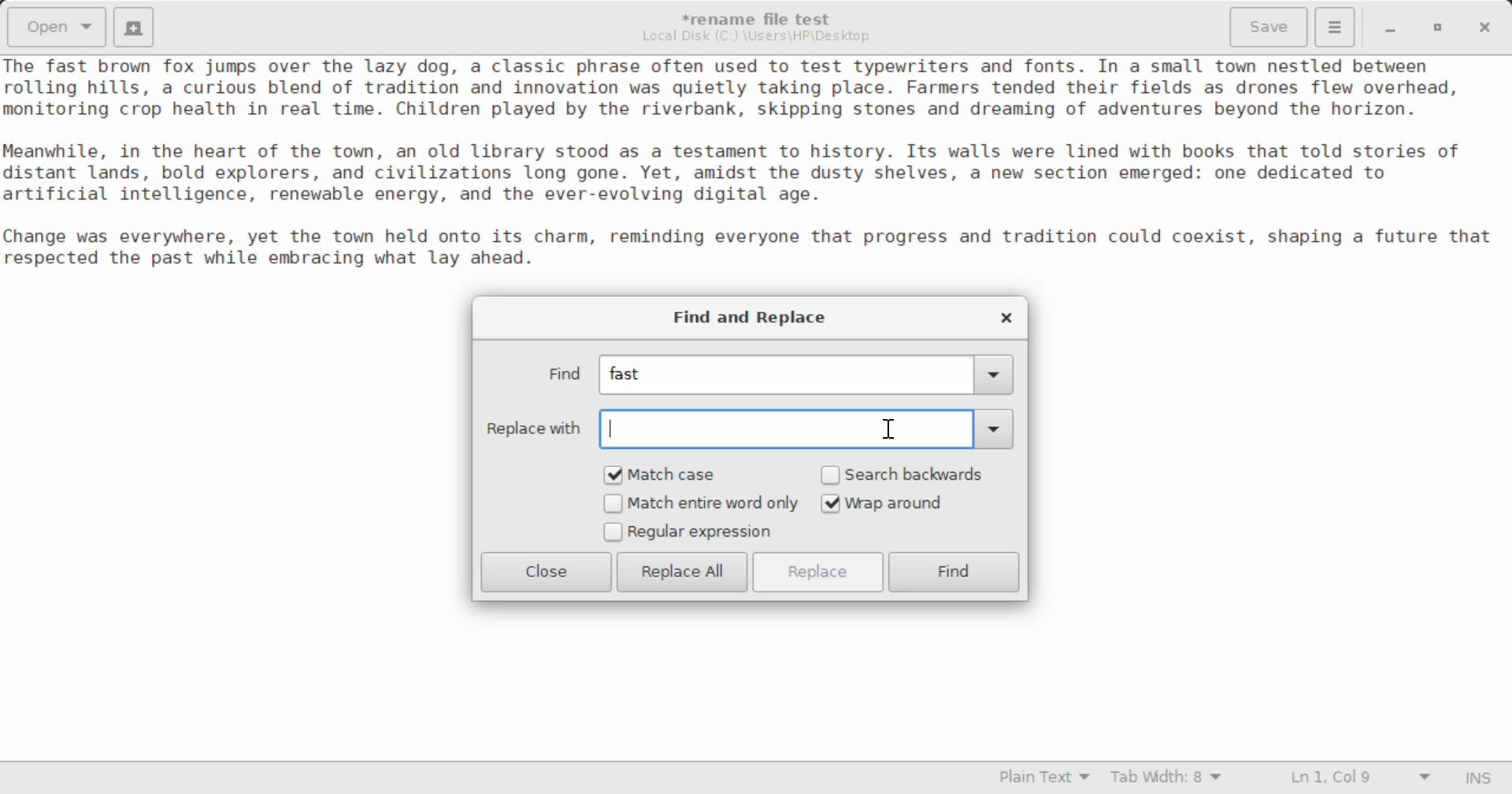 This screenshot has height=794, width=1512. What do you see at coordinates (671, 474) in the screenshot?
I see `Match Case` at bounding box center [671, 474].